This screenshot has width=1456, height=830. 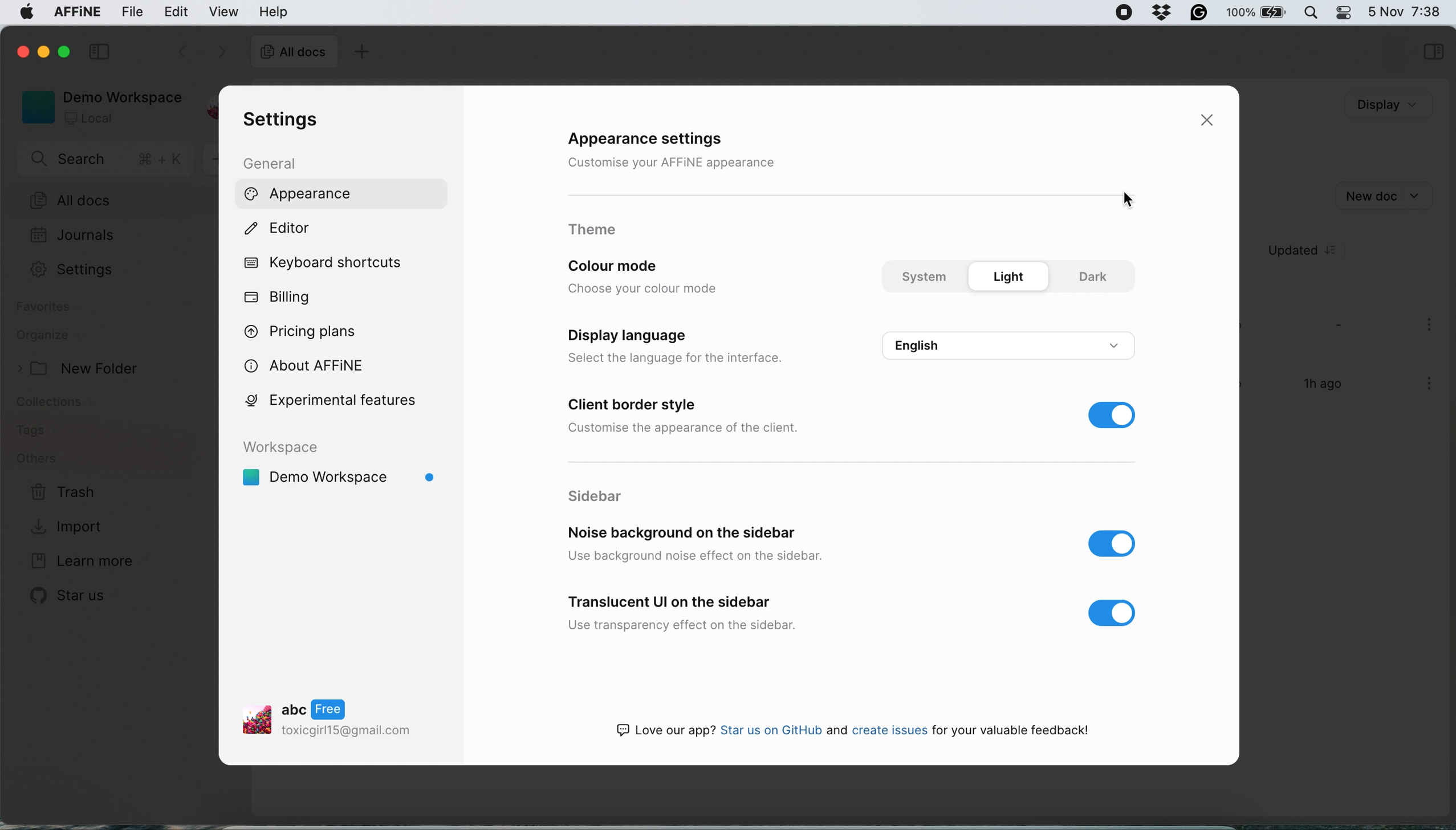 I want to click on use transparency effect on the sidebar, so click(x=683, y=623).